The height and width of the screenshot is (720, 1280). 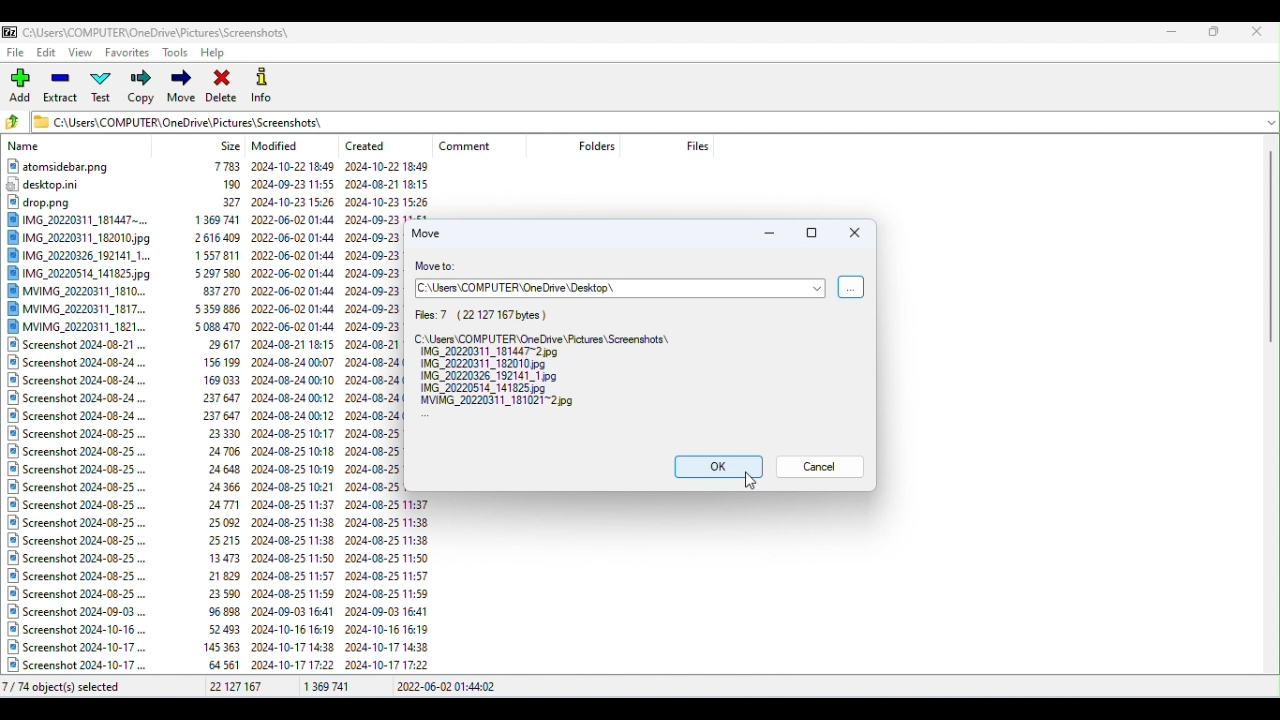 I want to click on Drop down menu, so click(x=1269, y=121).